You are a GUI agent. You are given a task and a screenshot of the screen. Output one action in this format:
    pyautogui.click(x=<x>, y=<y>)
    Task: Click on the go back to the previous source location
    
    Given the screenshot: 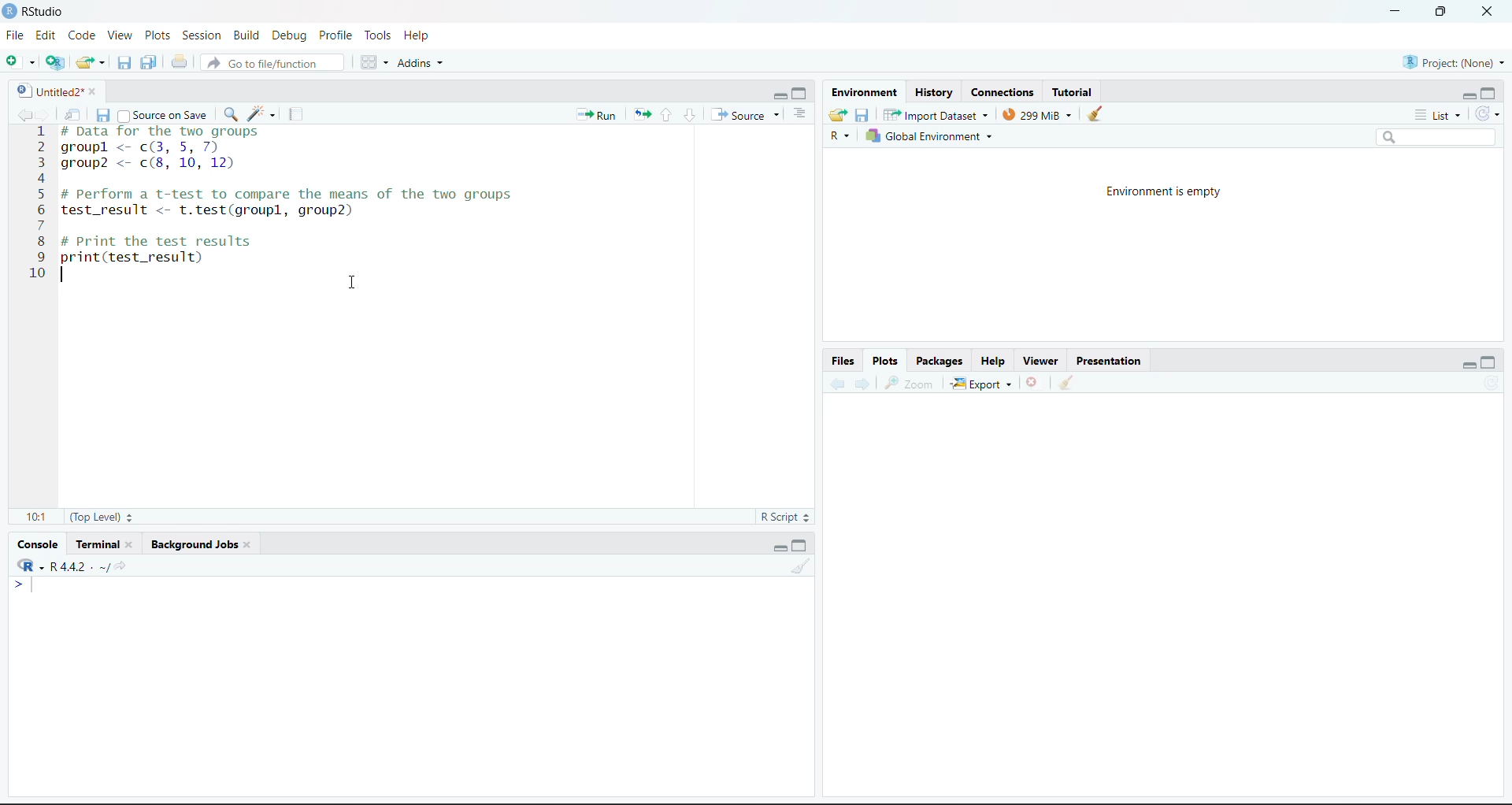 What is the action you would take?
    pyautogui.click(x=25, y=114)
    